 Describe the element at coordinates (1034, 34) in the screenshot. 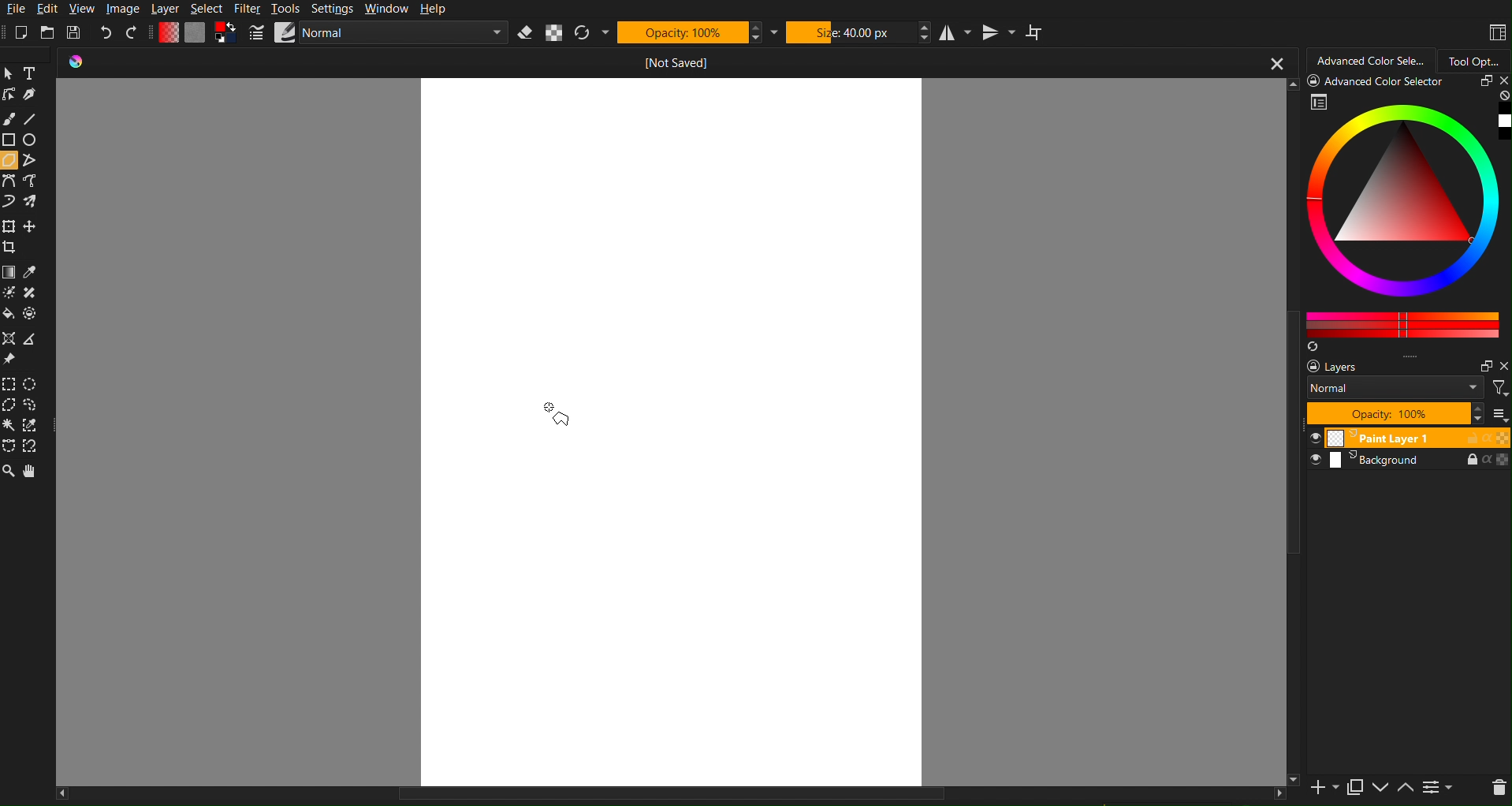

I see `Wrap Around` at that location.